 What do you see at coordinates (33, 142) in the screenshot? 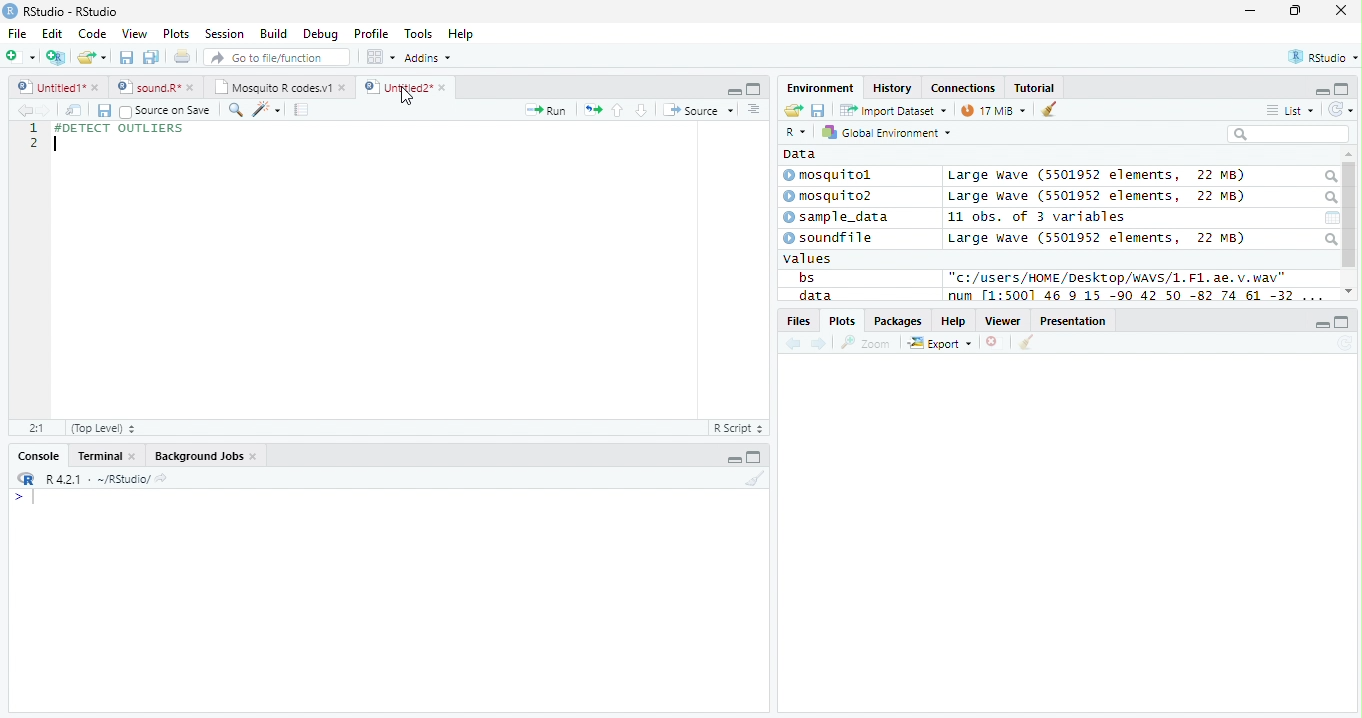
I see `2` at bounding box center [33, 142].